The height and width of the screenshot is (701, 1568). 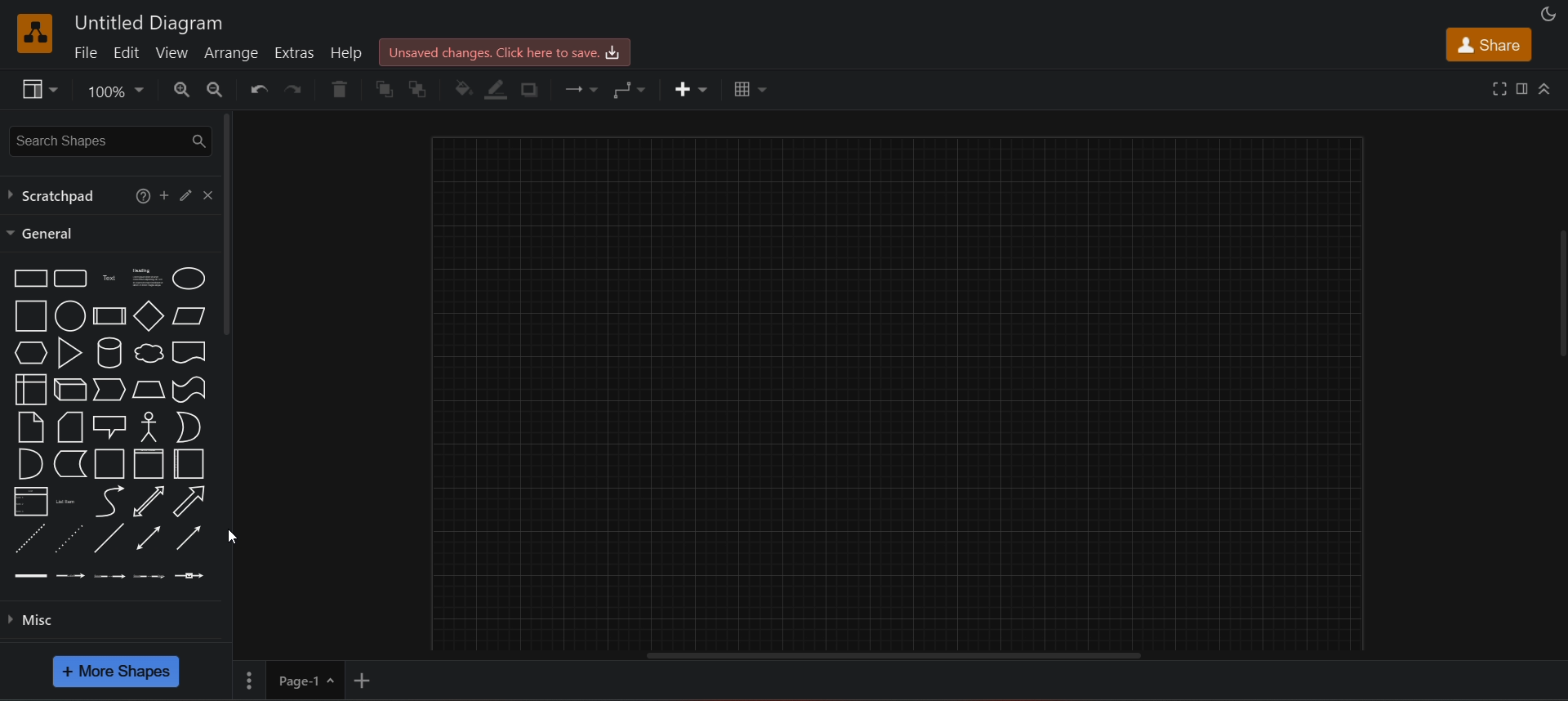 What do you see at coordinates (109, 463) in the screenshot?
I see `container` at bounding box center [109, 463].